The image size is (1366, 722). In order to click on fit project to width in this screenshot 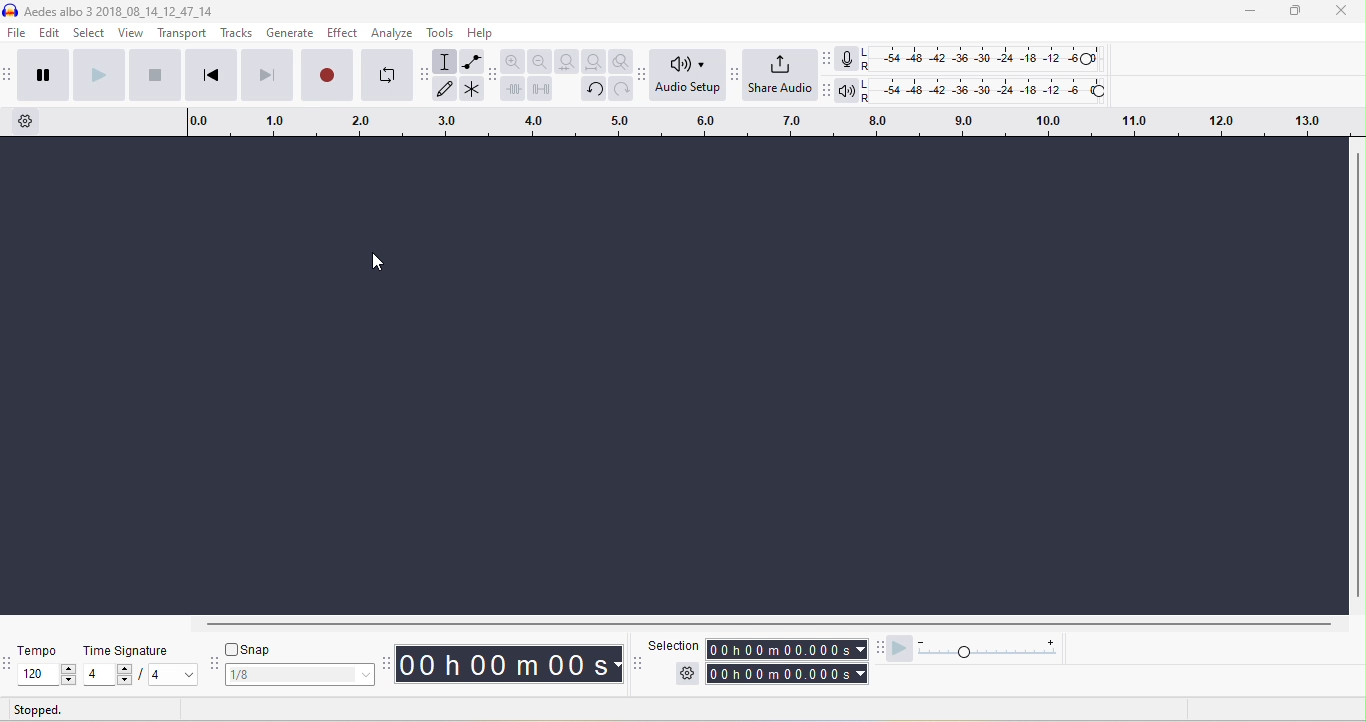, I will do `click(596, 62)`.